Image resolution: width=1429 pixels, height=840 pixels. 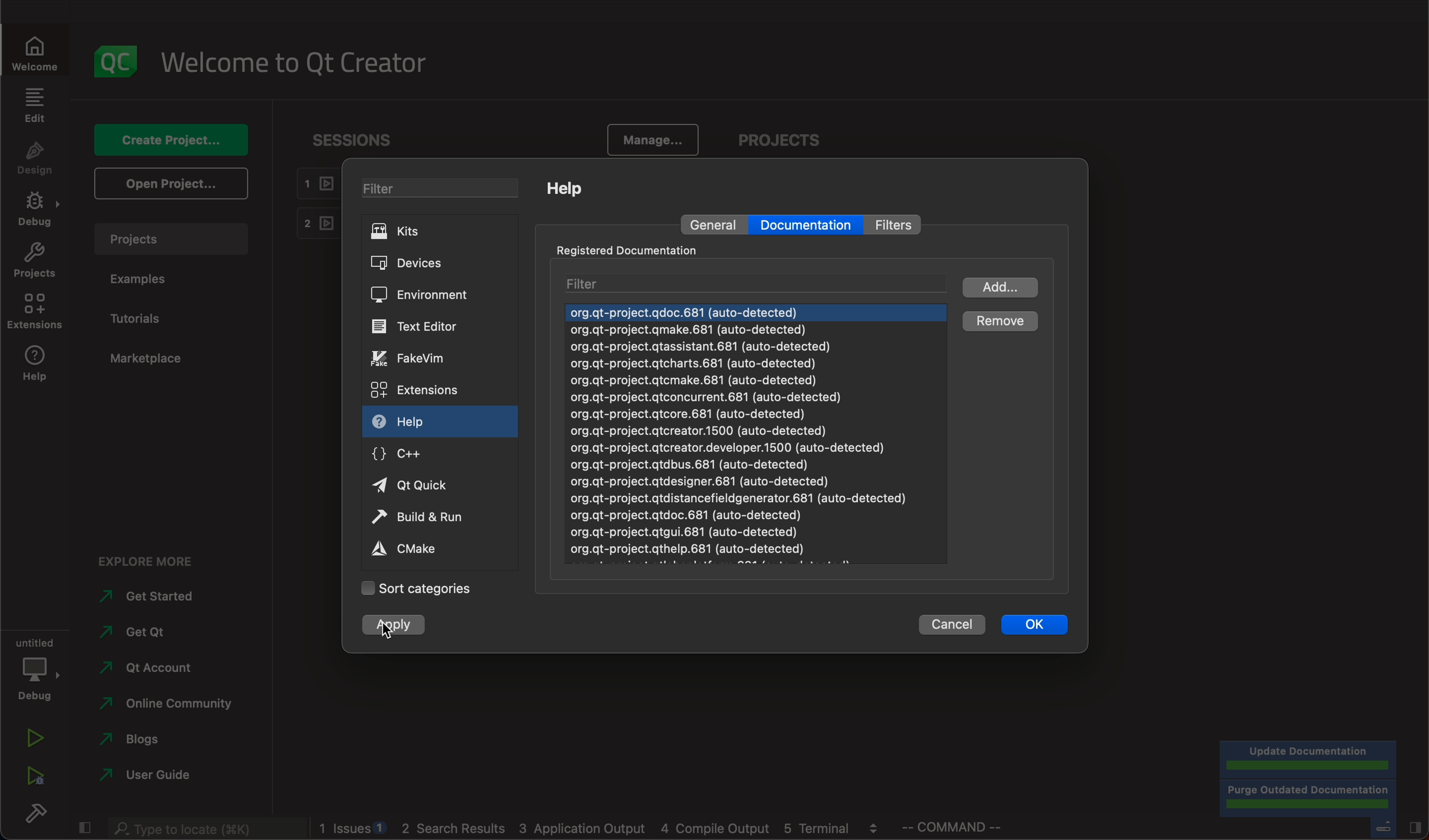 What do you see at coordinates (147, 320) in the screenshot?
I see `tutorials` at bounding box center [147, 320].